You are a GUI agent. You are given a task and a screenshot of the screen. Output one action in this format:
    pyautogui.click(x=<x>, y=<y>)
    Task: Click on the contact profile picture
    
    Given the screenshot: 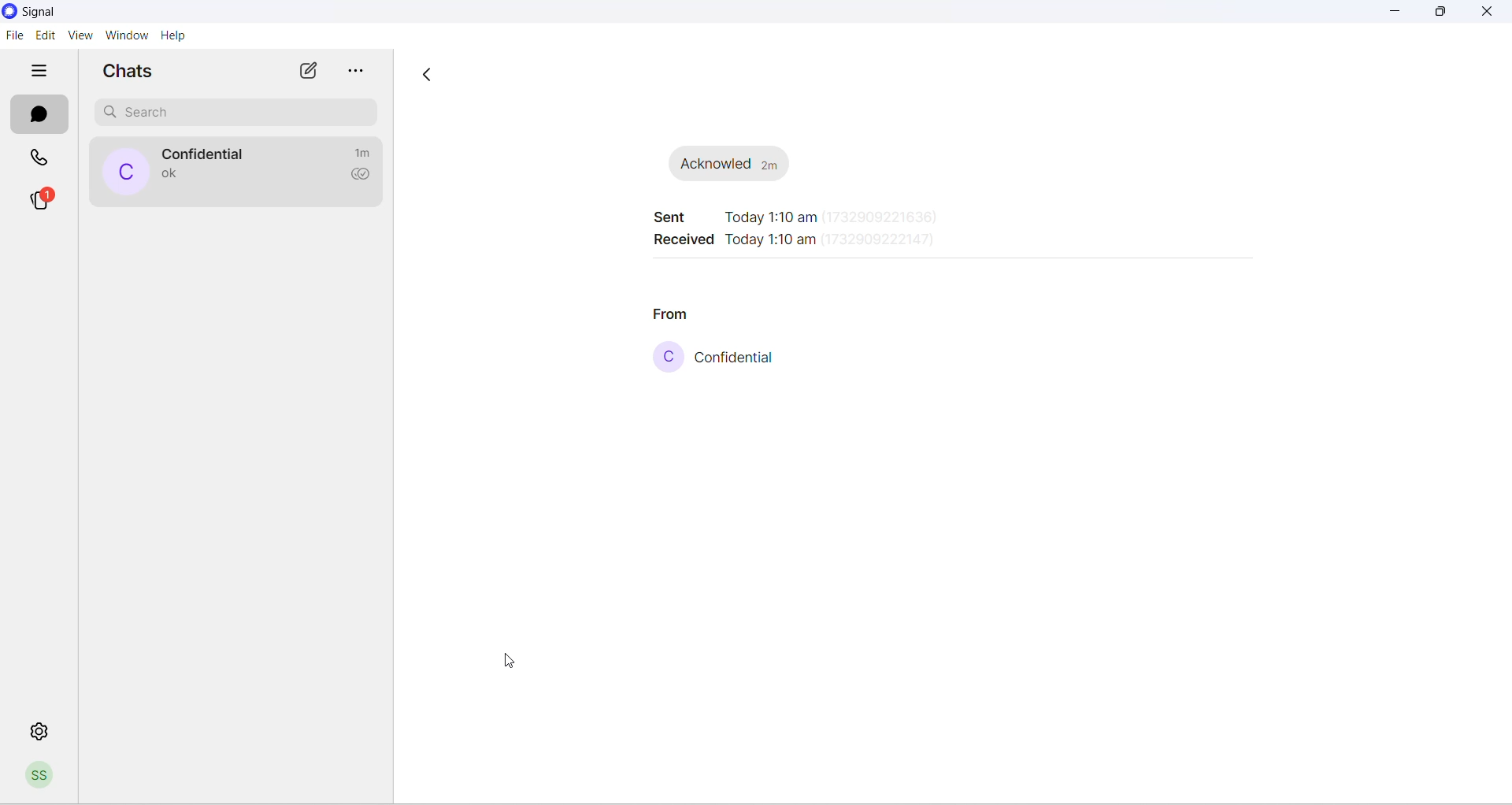 What is the action you would take?
    pyautogui.click(x=663, y=357)
    